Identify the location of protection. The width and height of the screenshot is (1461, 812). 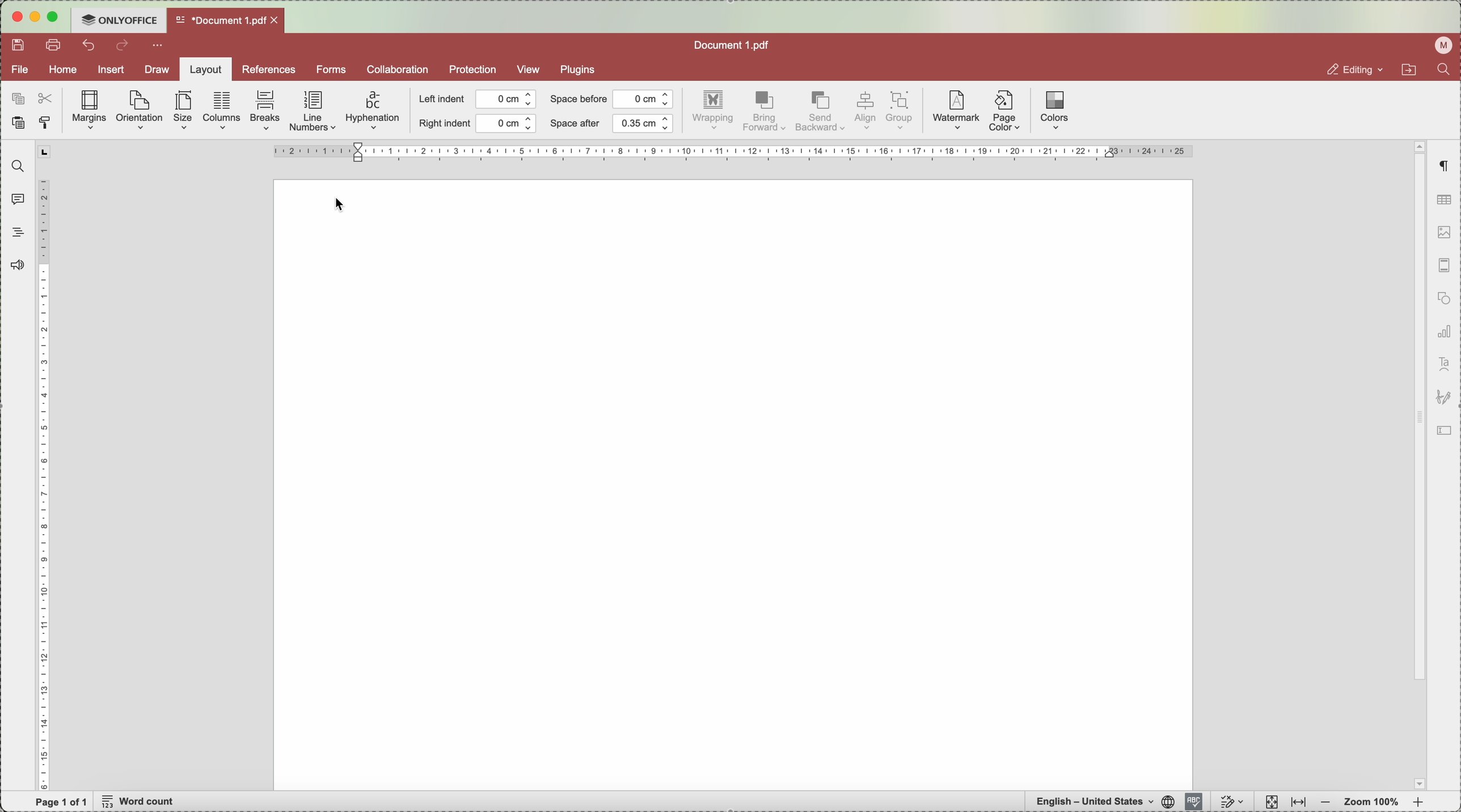
(472, 70).